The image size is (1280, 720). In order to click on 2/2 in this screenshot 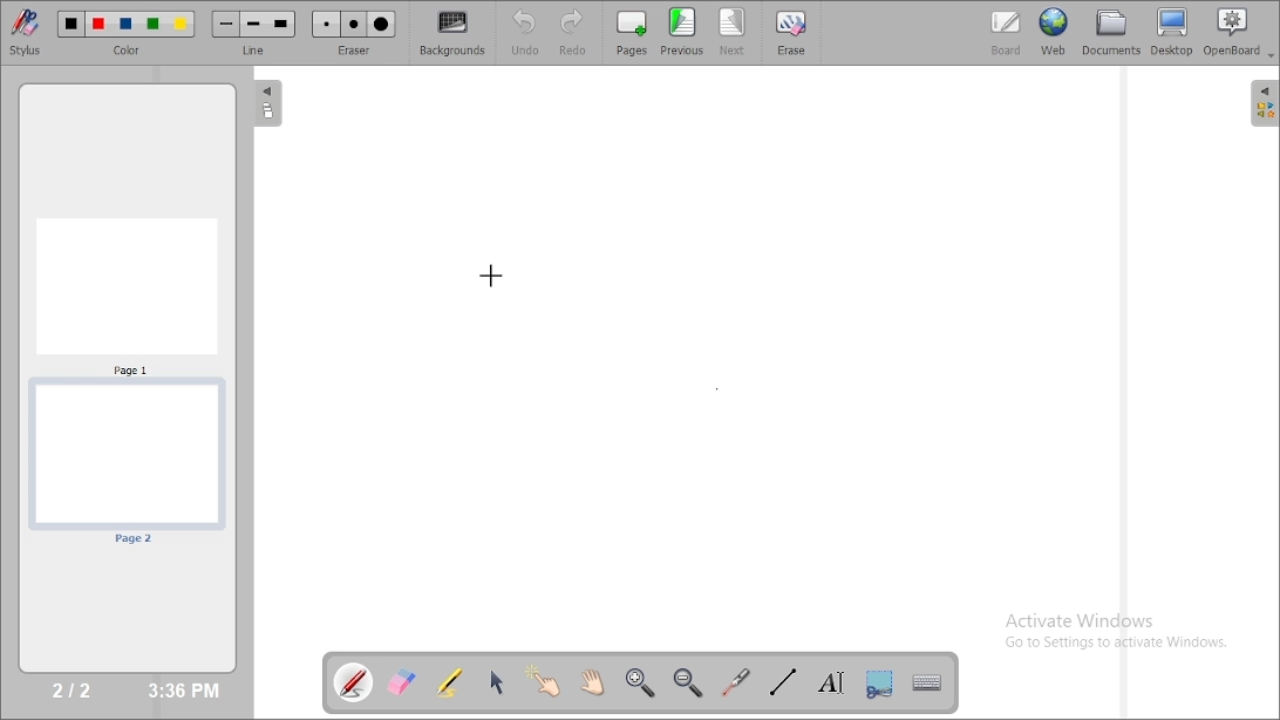, I will do `click(73, 689)`.